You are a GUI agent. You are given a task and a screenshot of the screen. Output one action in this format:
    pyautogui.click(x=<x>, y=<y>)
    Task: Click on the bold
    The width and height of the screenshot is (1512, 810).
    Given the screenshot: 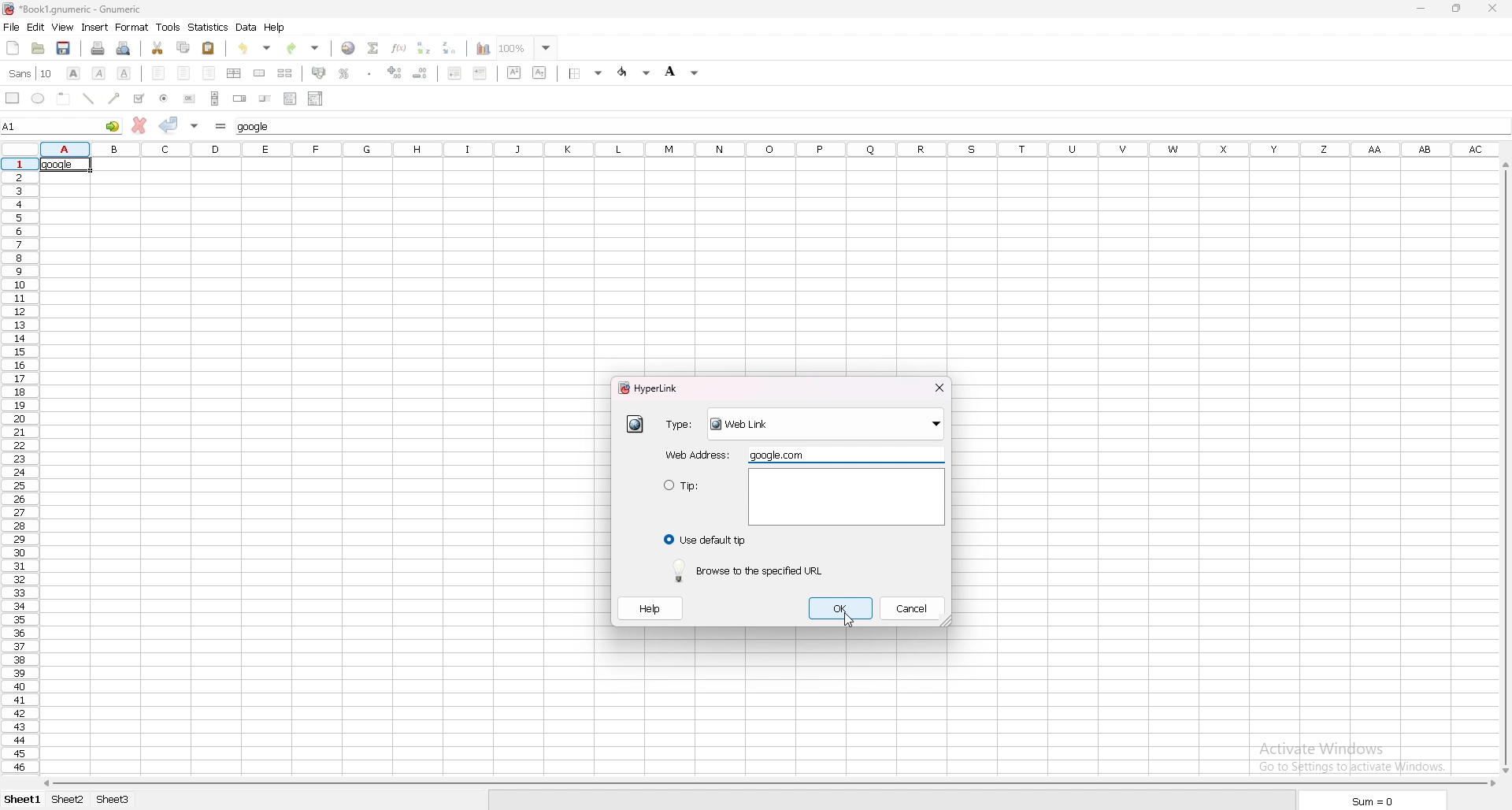 What is the action you would take?
    pyautogui.click(x=74, y=73)
    